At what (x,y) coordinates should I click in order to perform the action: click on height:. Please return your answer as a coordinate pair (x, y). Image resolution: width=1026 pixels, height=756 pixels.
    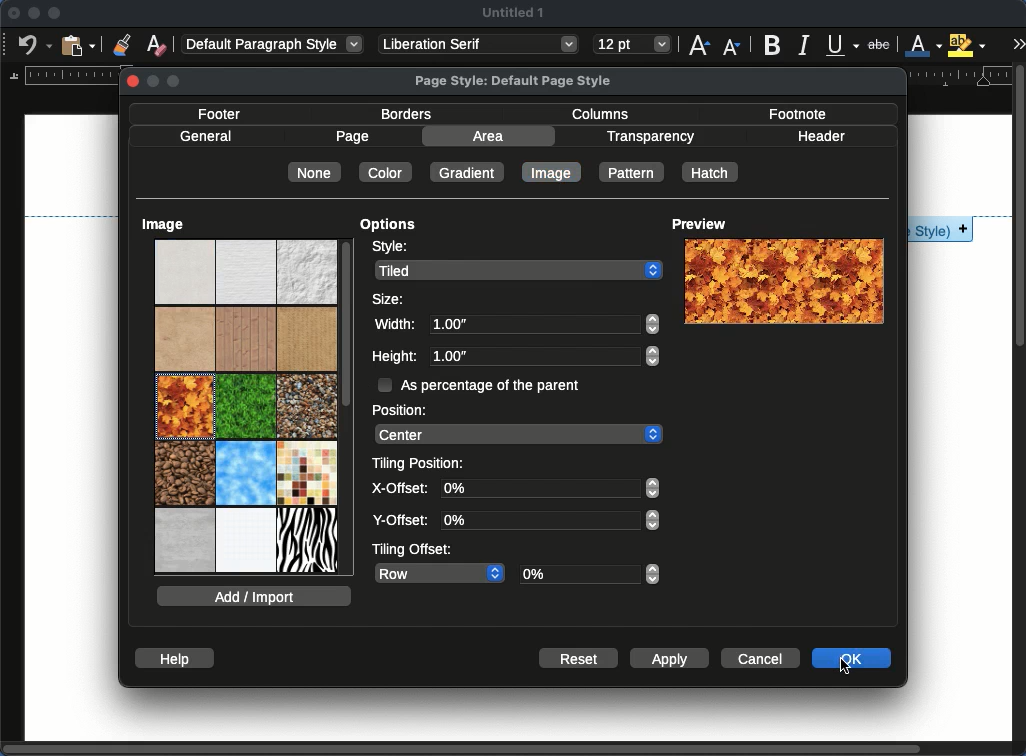
    Looking at the image, I should click on (393, 357).